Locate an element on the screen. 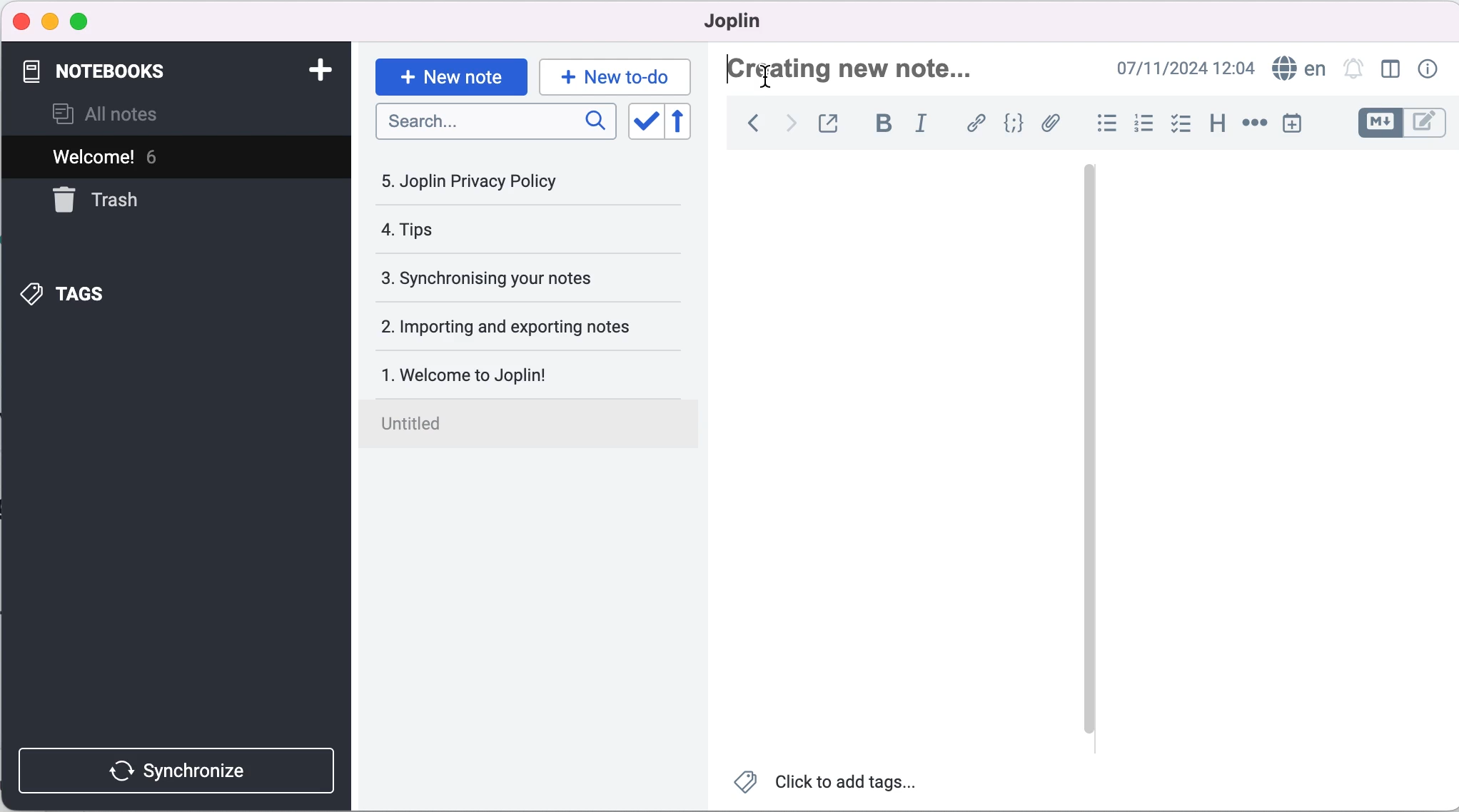  hyperlink is located at coordinates (976, 123).